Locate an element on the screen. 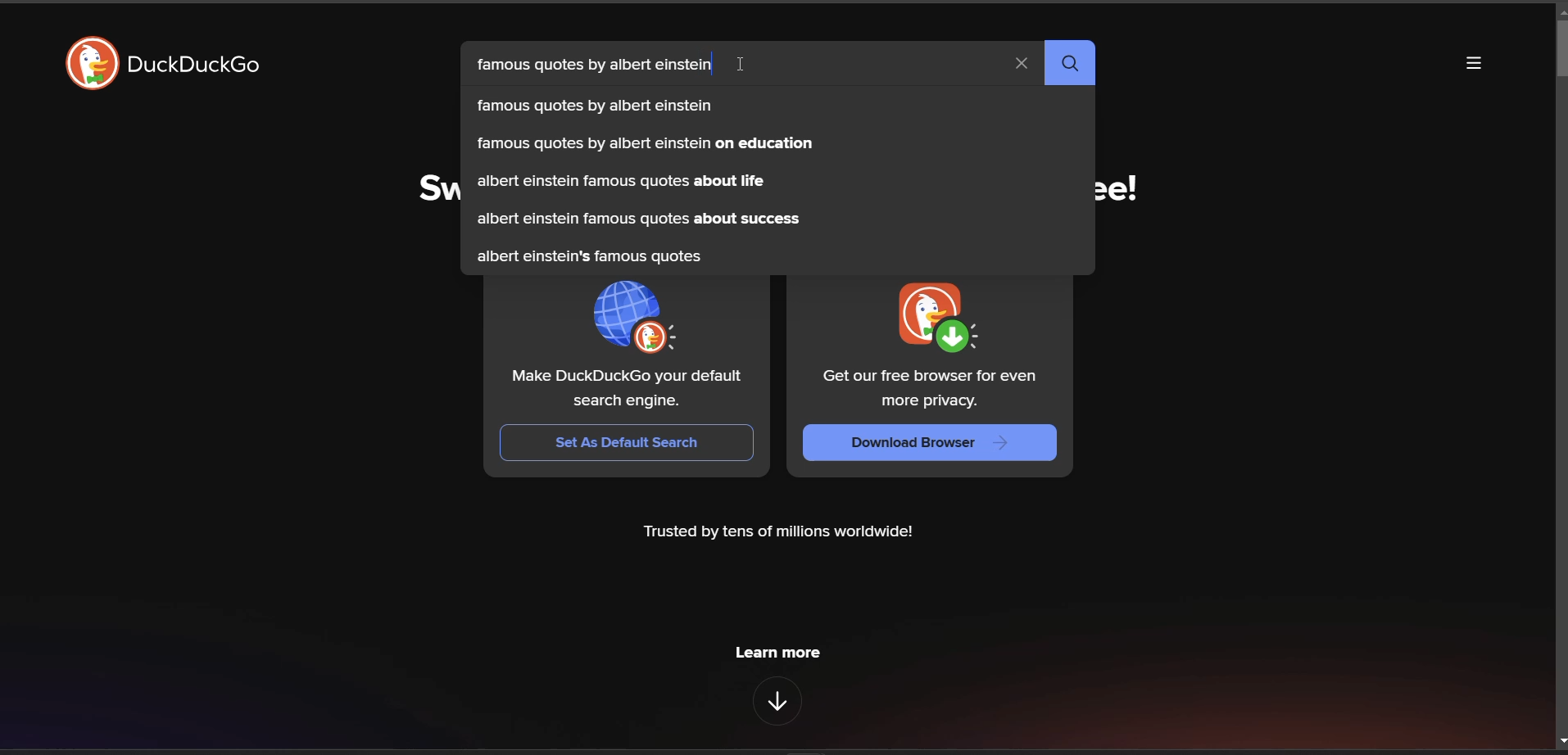 Image resolution: width=1568 pixels, height=755 pixels. features is located at coordinates (779, 701).